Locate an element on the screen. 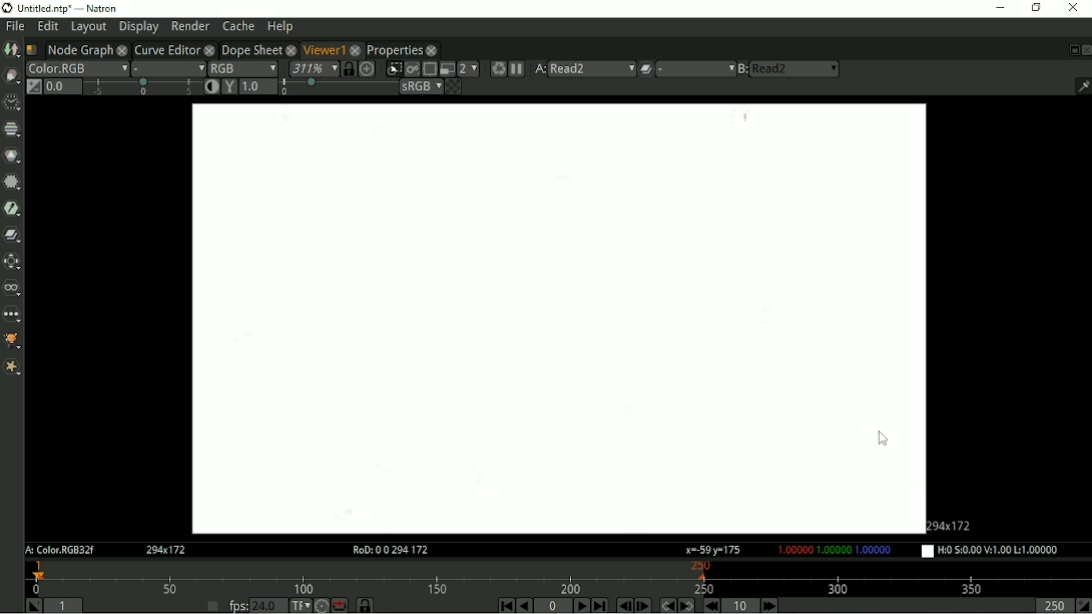 The height and width of the screenshot is (614, 1092). Image added is located at coordinates (555, 319).